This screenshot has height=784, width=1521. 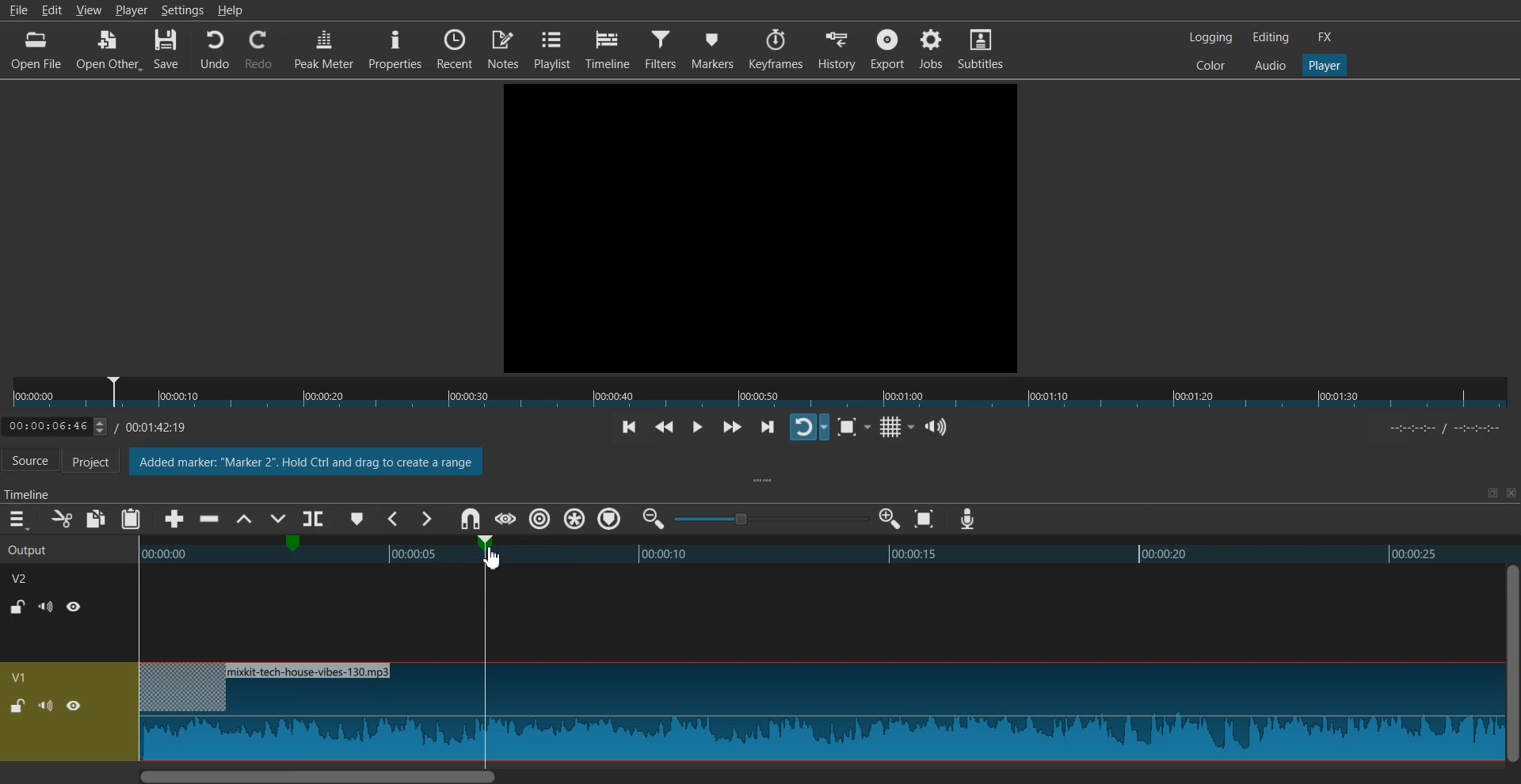 I want to click on Timeline preview, so click(x=817, y=552).